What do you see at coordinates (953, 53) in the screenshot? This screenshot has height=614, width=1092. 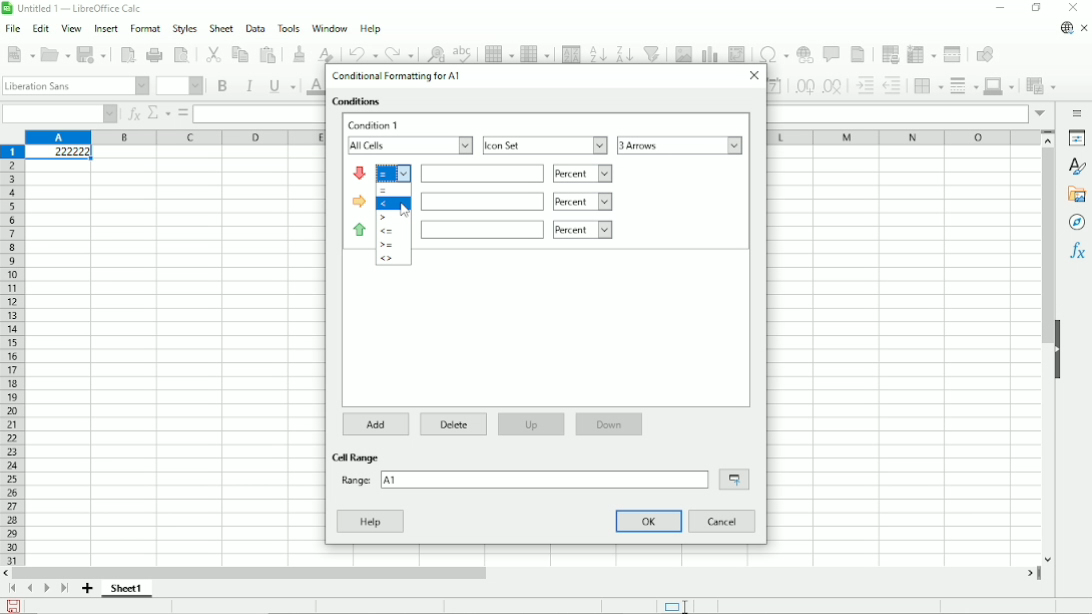 I see `Split window` at bounding box center [953, 53].